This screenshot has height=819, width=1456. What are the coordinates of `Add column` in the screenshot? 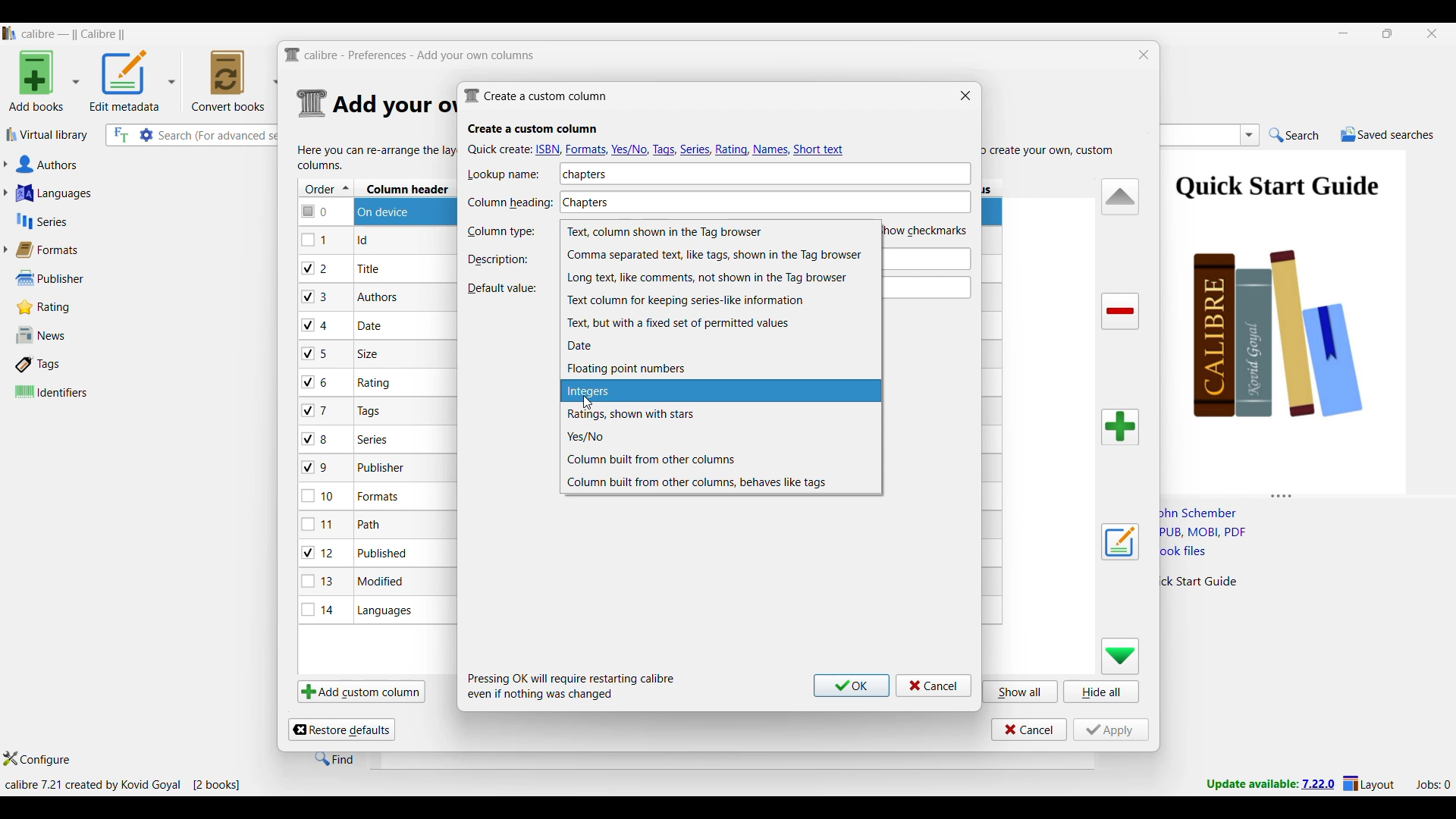 It's located at (1120, 427).